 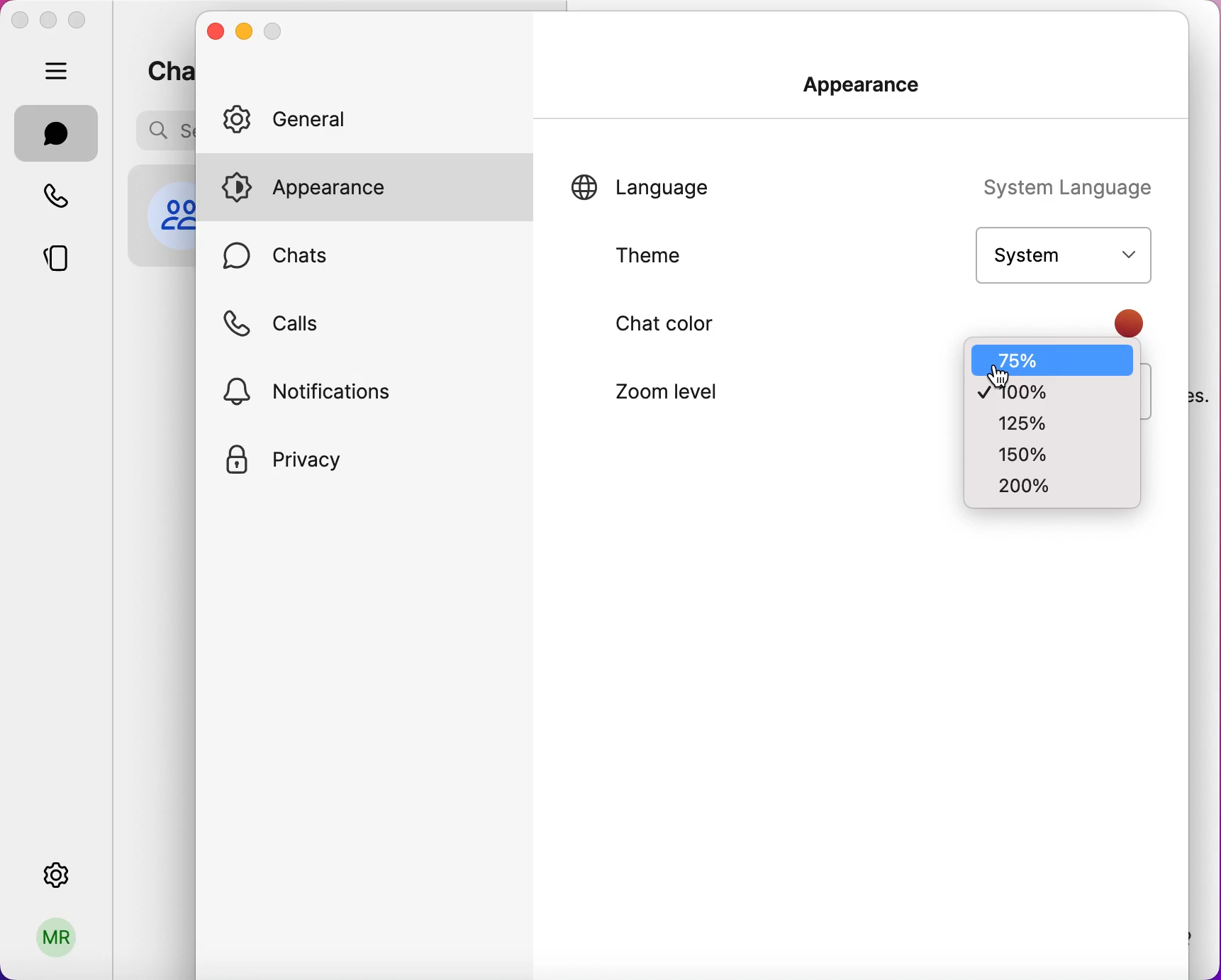 I want to click on system language, so click(x=1075, y=172).